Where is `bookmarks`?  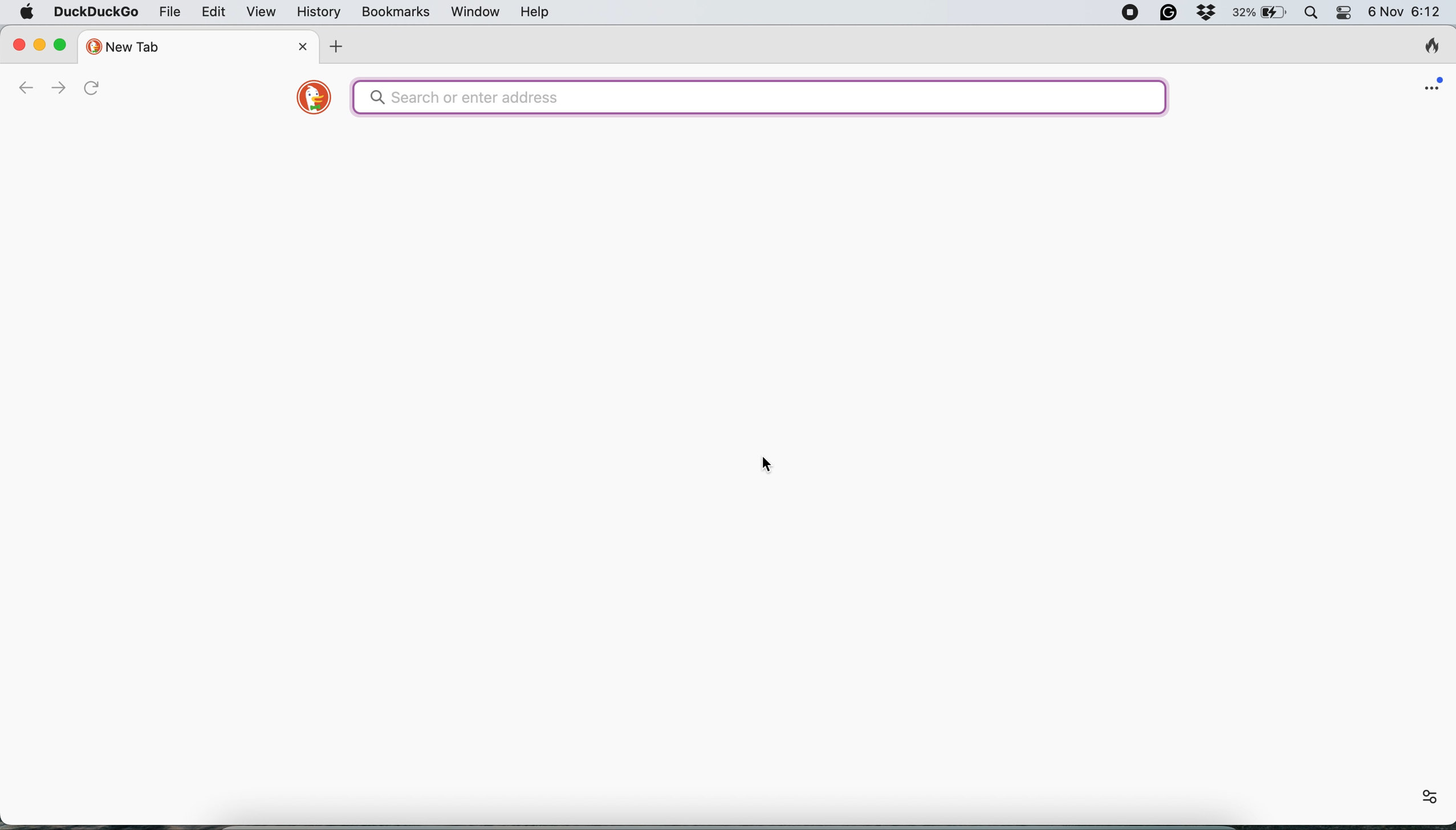
bookmarks is located at coordinates (396, 13).